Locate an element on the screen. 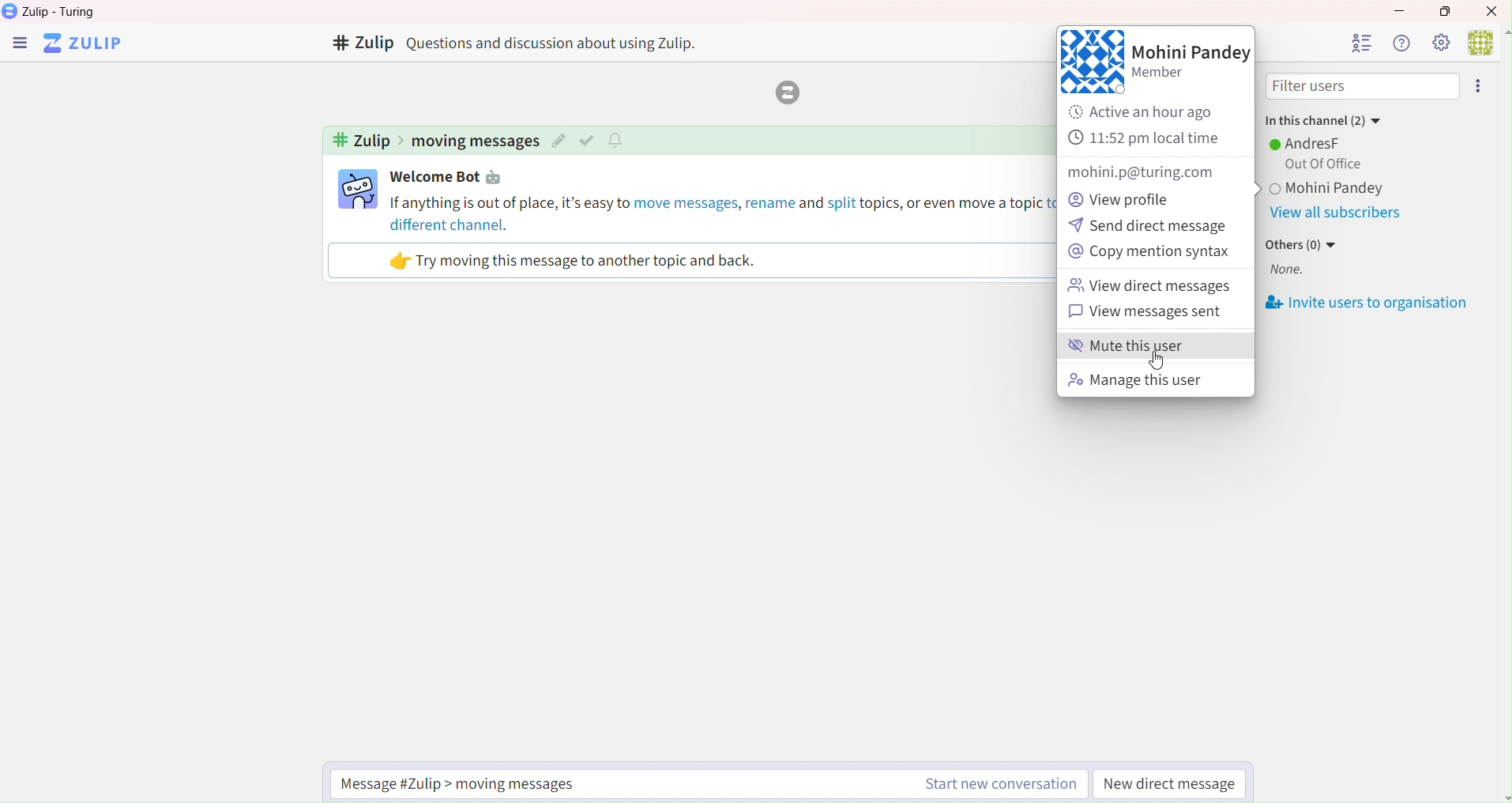  cursor is located at coordinates (1156, 364).